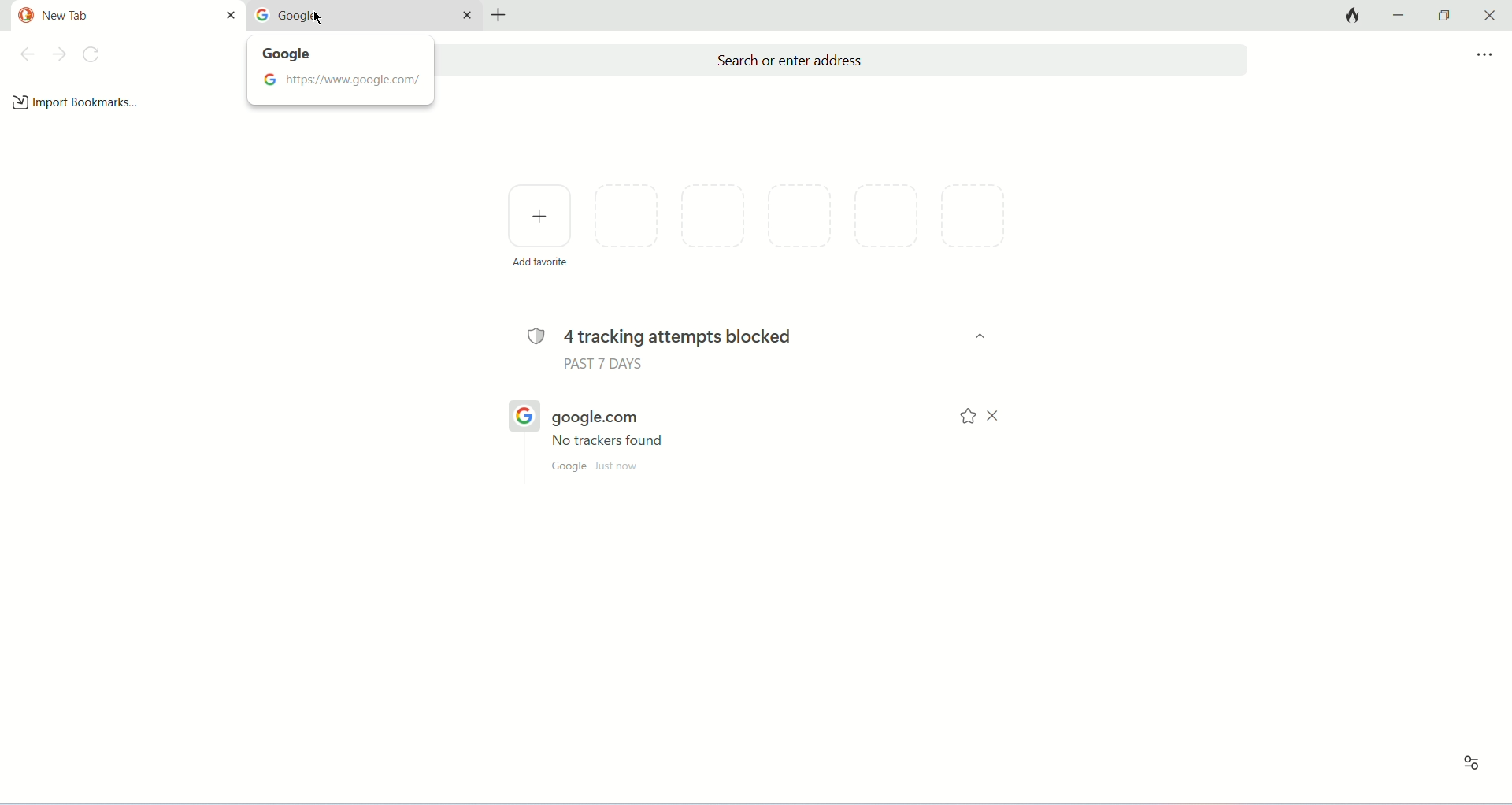 This screenshot has width=1512, height=805. Describe the element at coordinates (810, 224) in the screenshot. I see `favorite` at that location.